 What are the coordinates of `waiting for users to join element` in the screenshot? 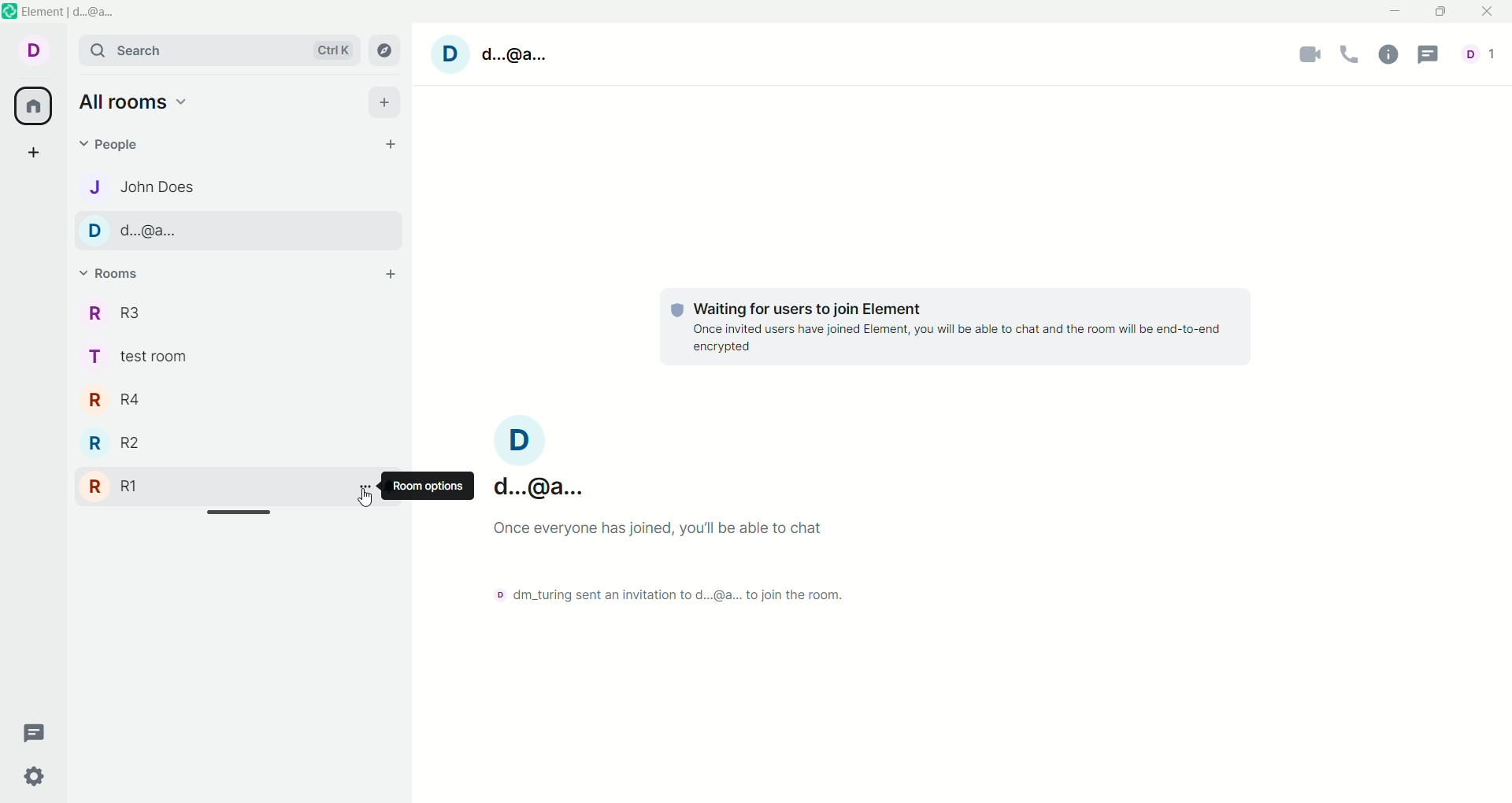 It's located at (830, 308).